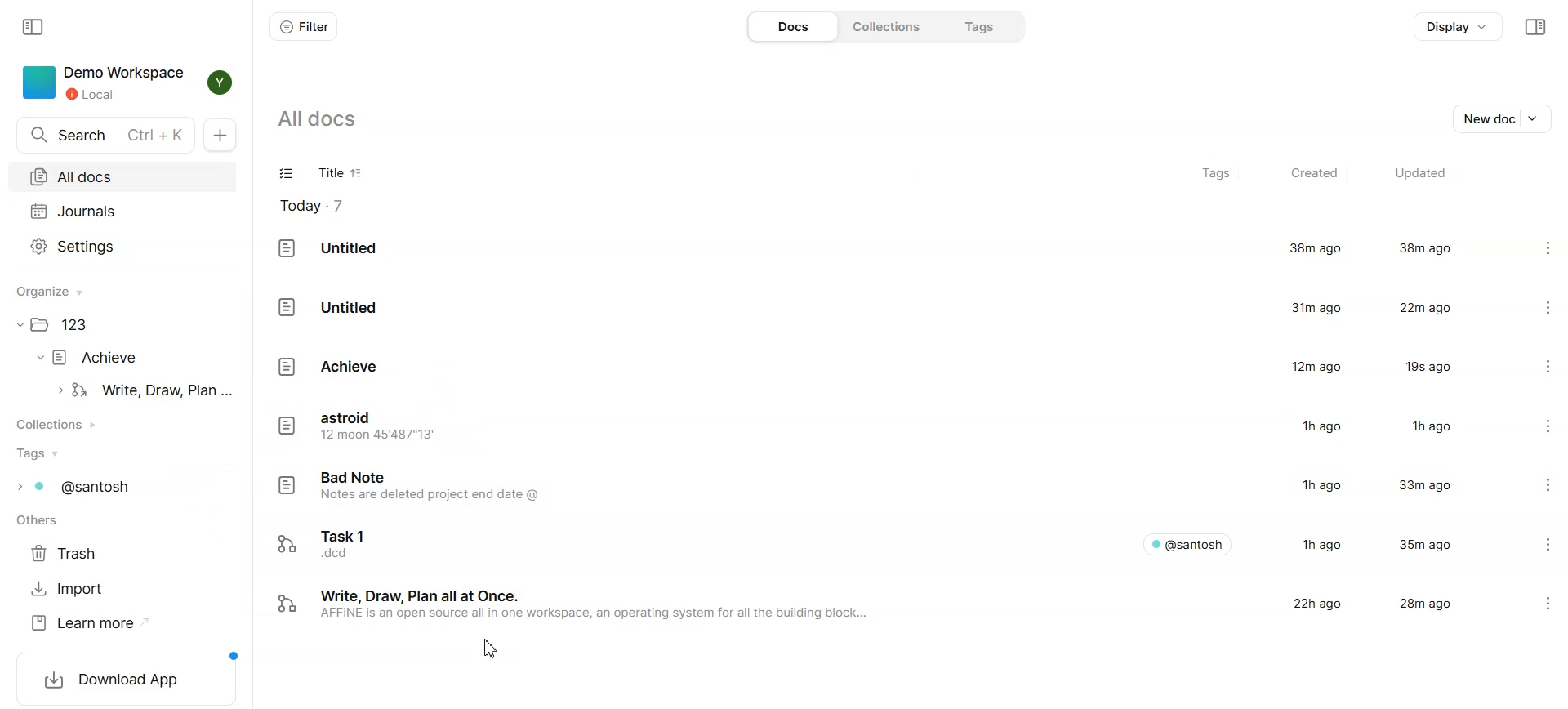 Image resolution: width=1568 pixels, height=709 pixels. Describe the element at coordinates (878, 542) in the screenshot. I see `Doc File` at that location.